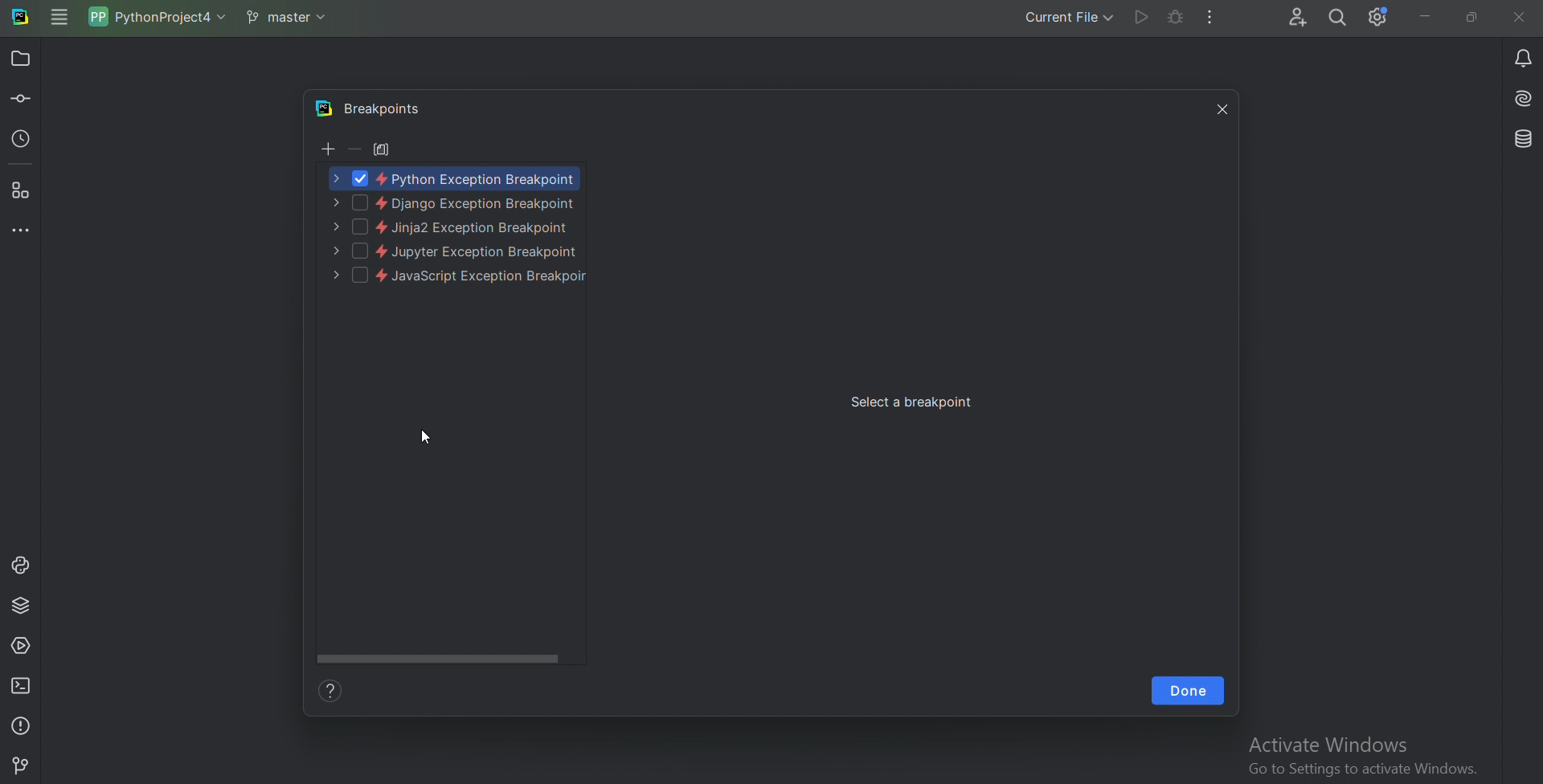  I want to click on Show help contents, so click(335, 692).